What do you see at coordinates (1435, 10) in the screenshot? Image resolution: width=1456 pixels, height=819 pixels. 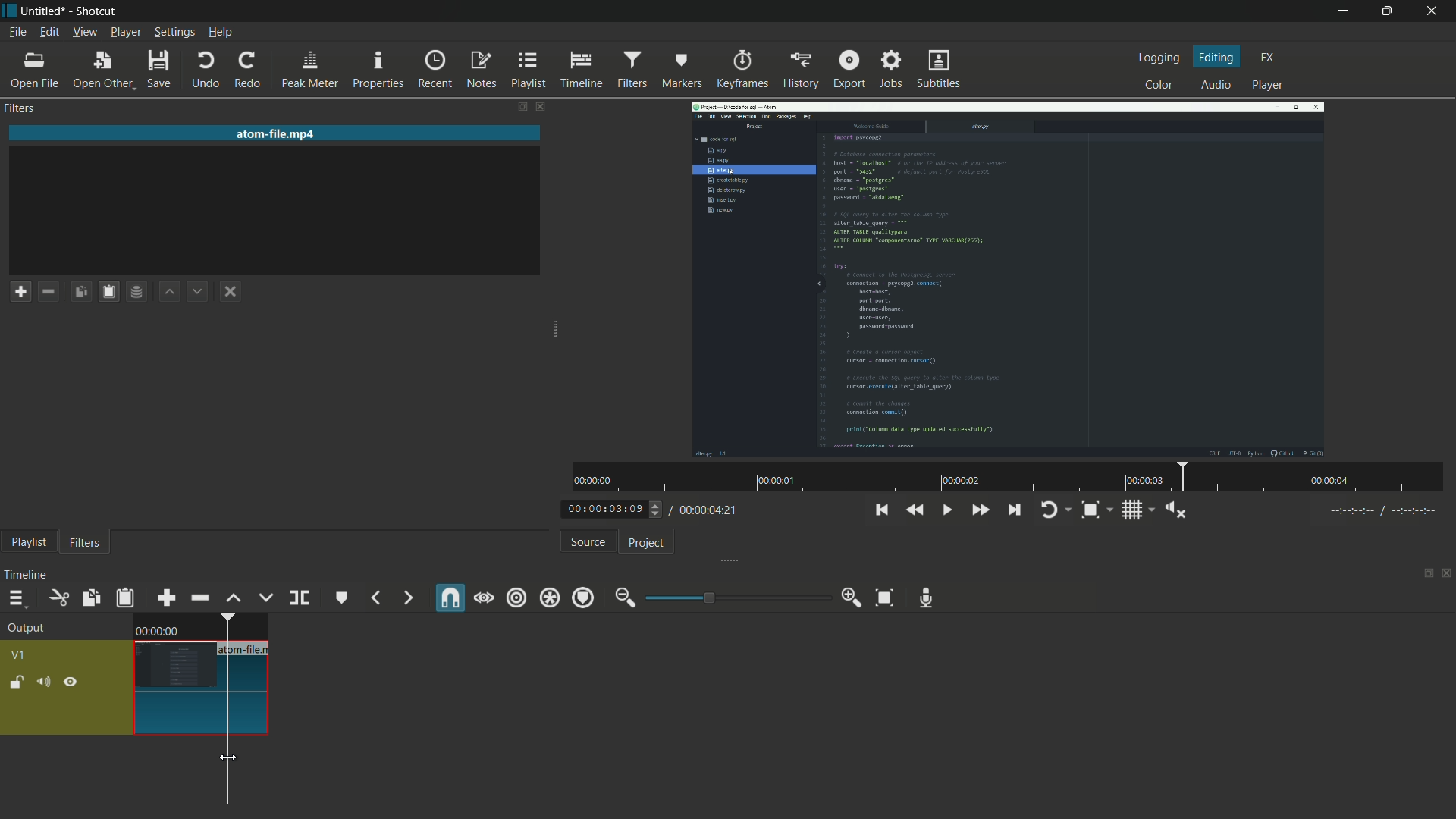 I see `close app` at bounding box center [1435, 10].